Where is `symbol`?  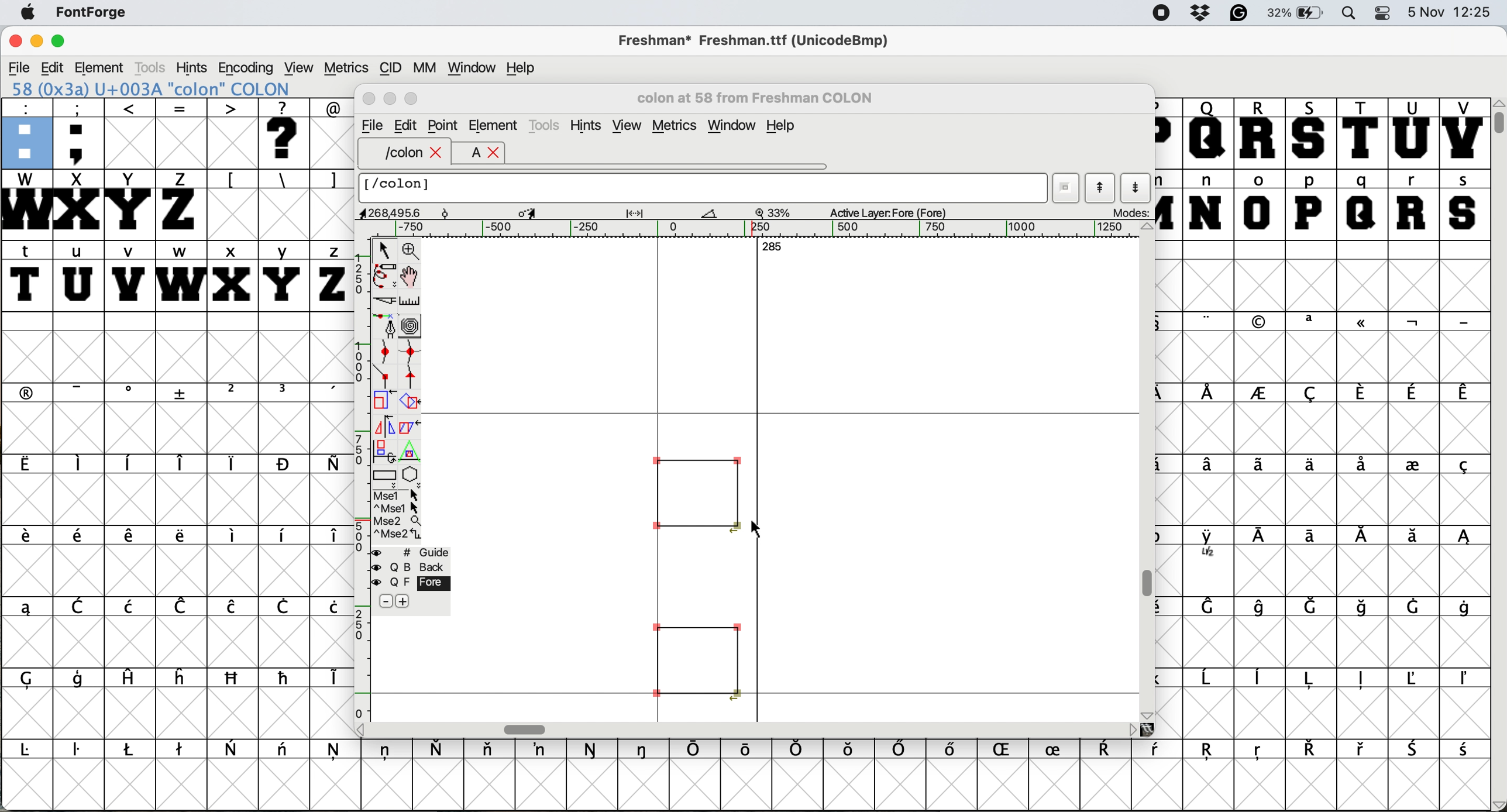
symbol is located at coordinates (1412, 536).